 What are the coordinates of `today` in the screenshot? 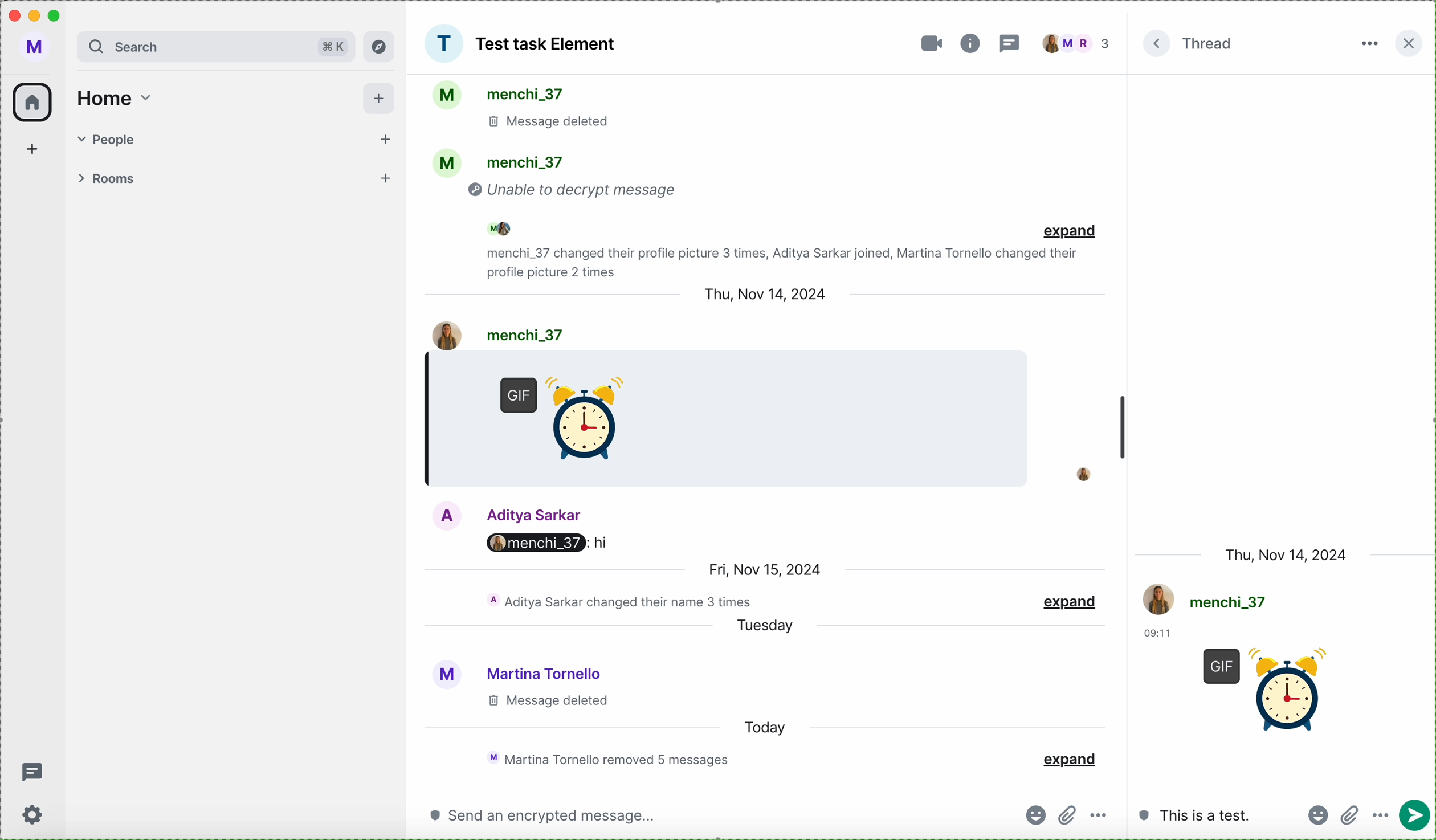 It's located at (772, 727).